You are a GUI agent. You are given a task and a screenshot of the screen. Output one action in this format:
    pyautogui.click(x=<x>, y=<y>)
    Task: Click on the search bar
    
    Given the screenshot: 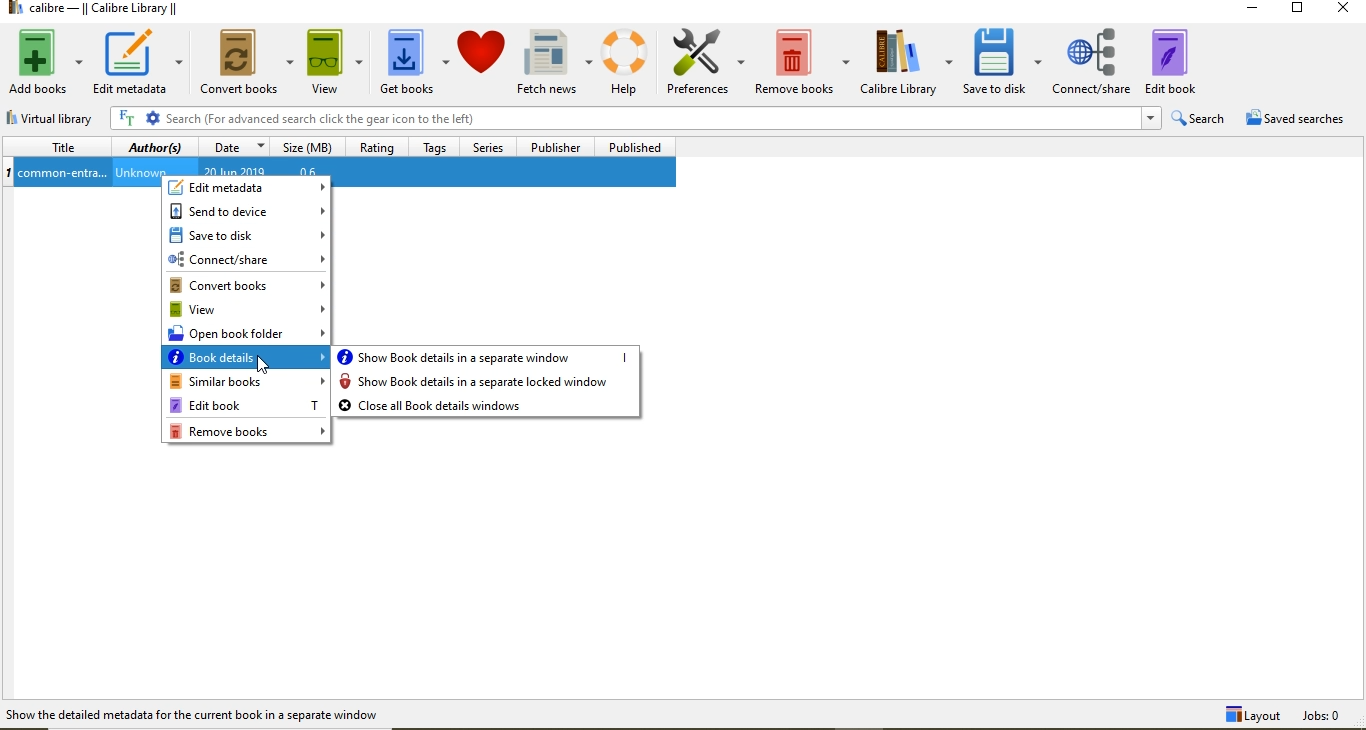 What is the action you would take?
    pyautogui.click(x=624, y=119)
    